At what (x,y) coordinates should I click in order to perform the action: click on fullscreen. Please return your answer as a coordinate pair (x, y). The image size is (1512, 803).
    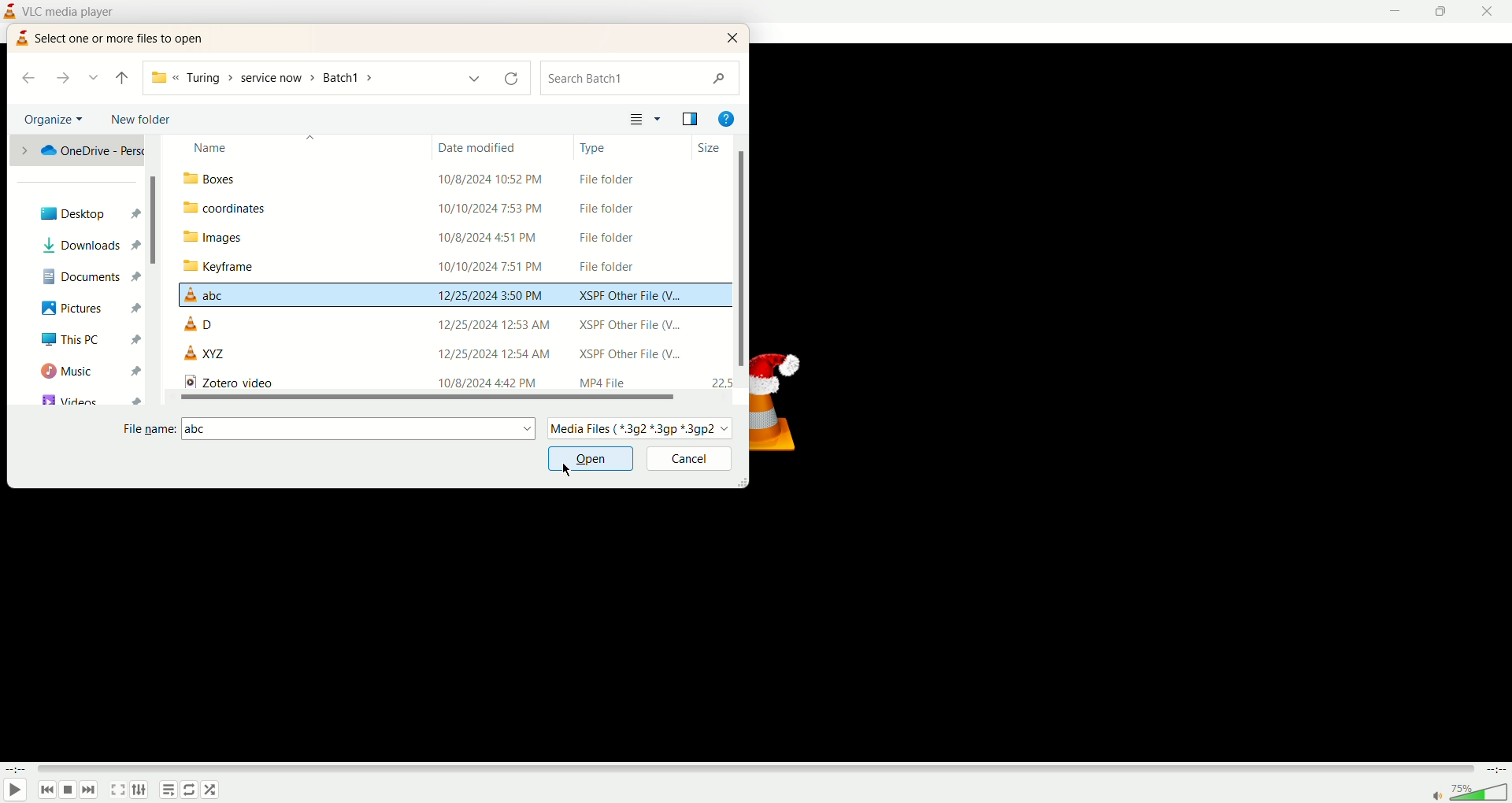
    Looking at the image, I should click on (117, 790).